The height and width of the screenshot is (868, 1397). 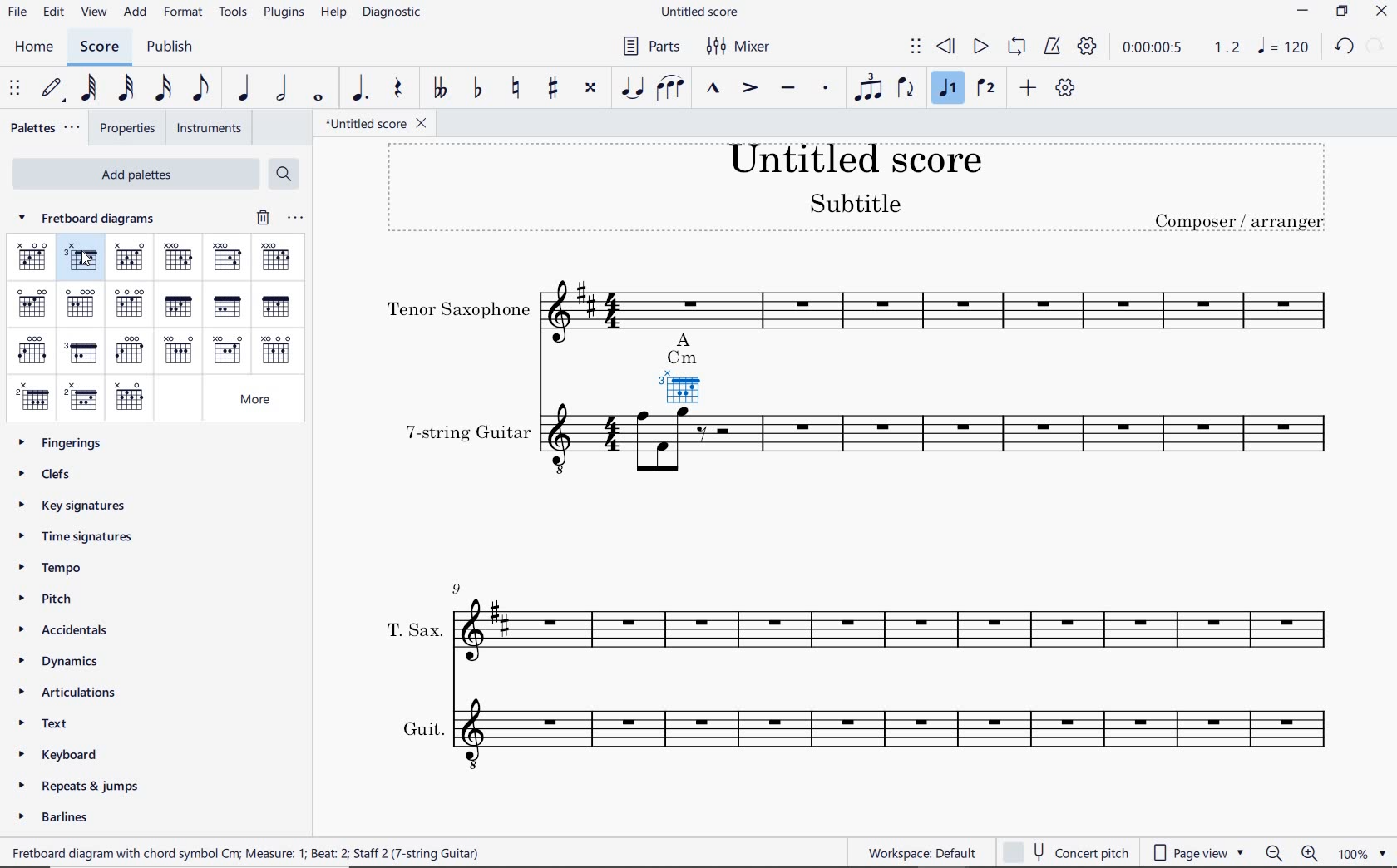 I want to click on HELP, so click(x=333, y=14).